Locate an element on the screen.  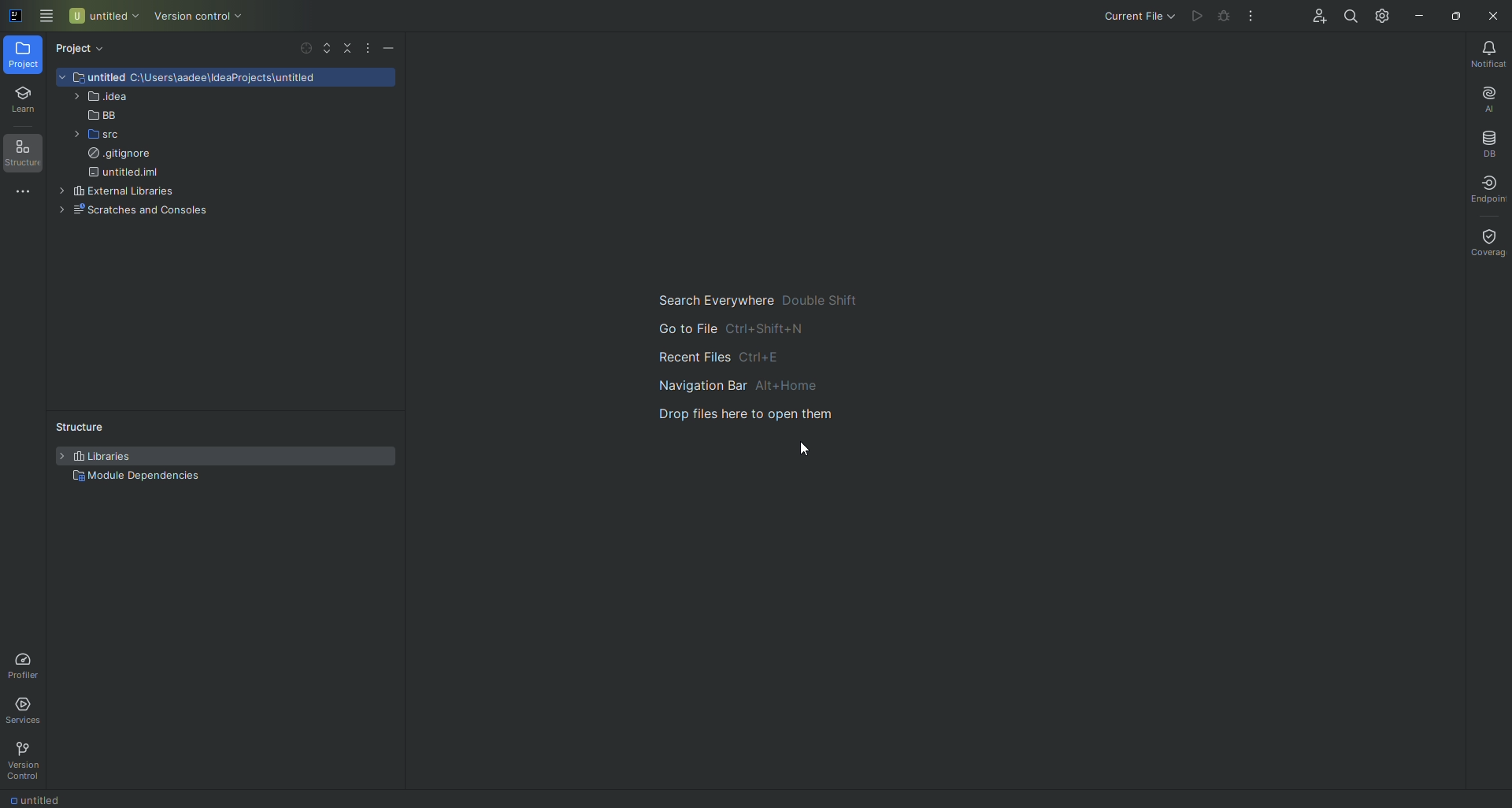
untitled.iml is located at coordinates (128, 173).